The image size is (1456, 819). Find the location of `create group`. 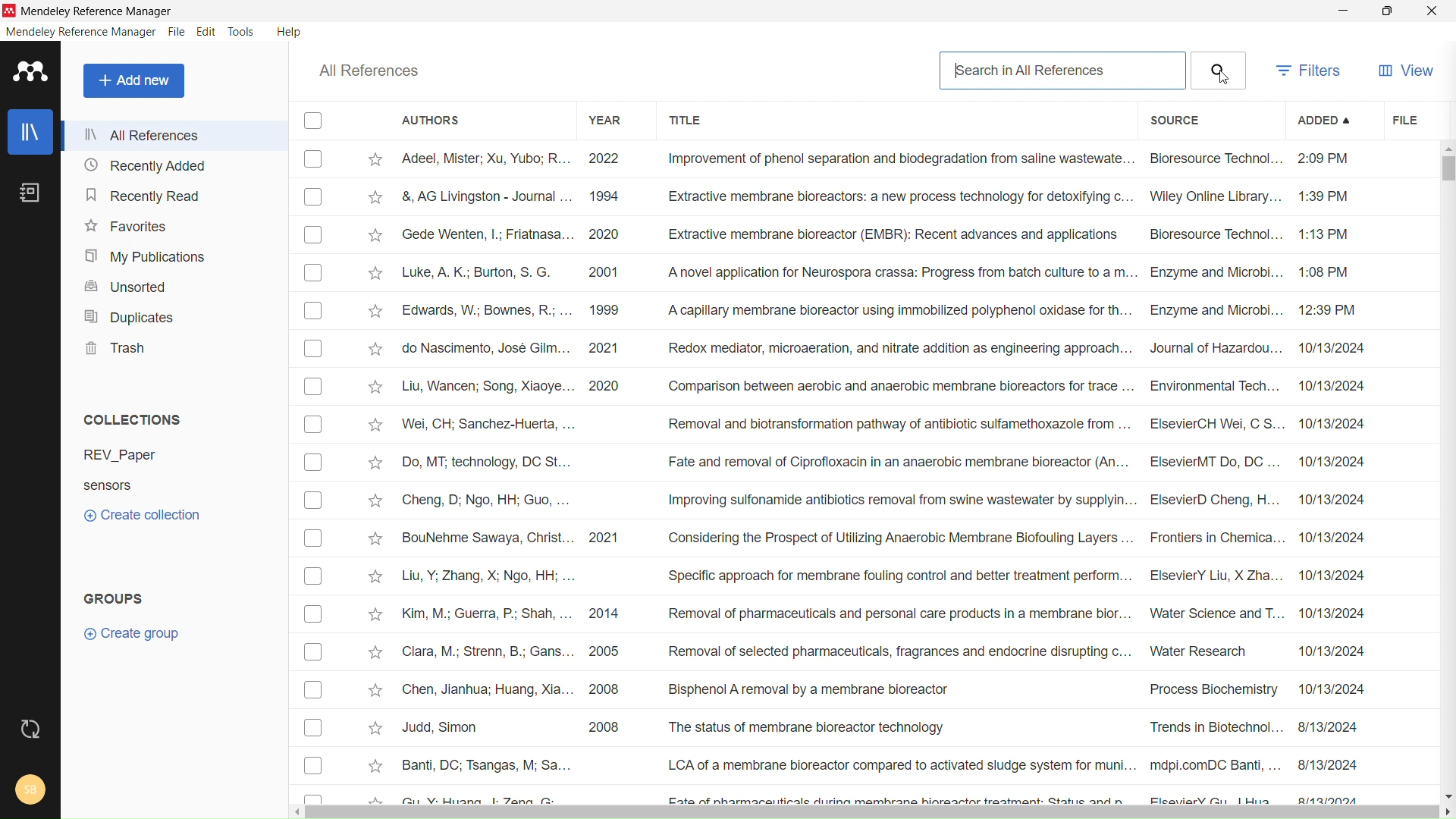

create group is located at coordinates (175, 632).